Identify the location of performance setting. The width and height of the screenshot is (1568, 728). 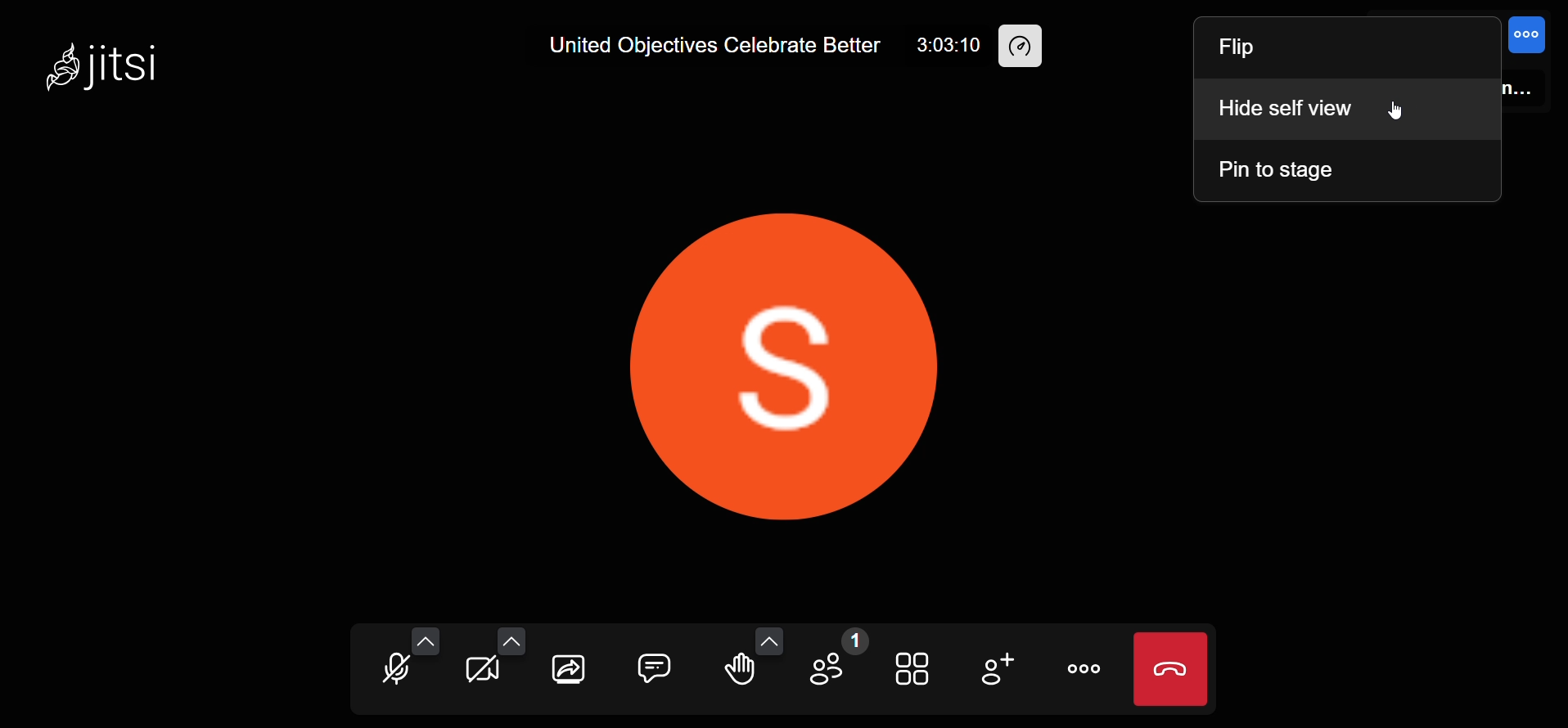
(1022, 47).